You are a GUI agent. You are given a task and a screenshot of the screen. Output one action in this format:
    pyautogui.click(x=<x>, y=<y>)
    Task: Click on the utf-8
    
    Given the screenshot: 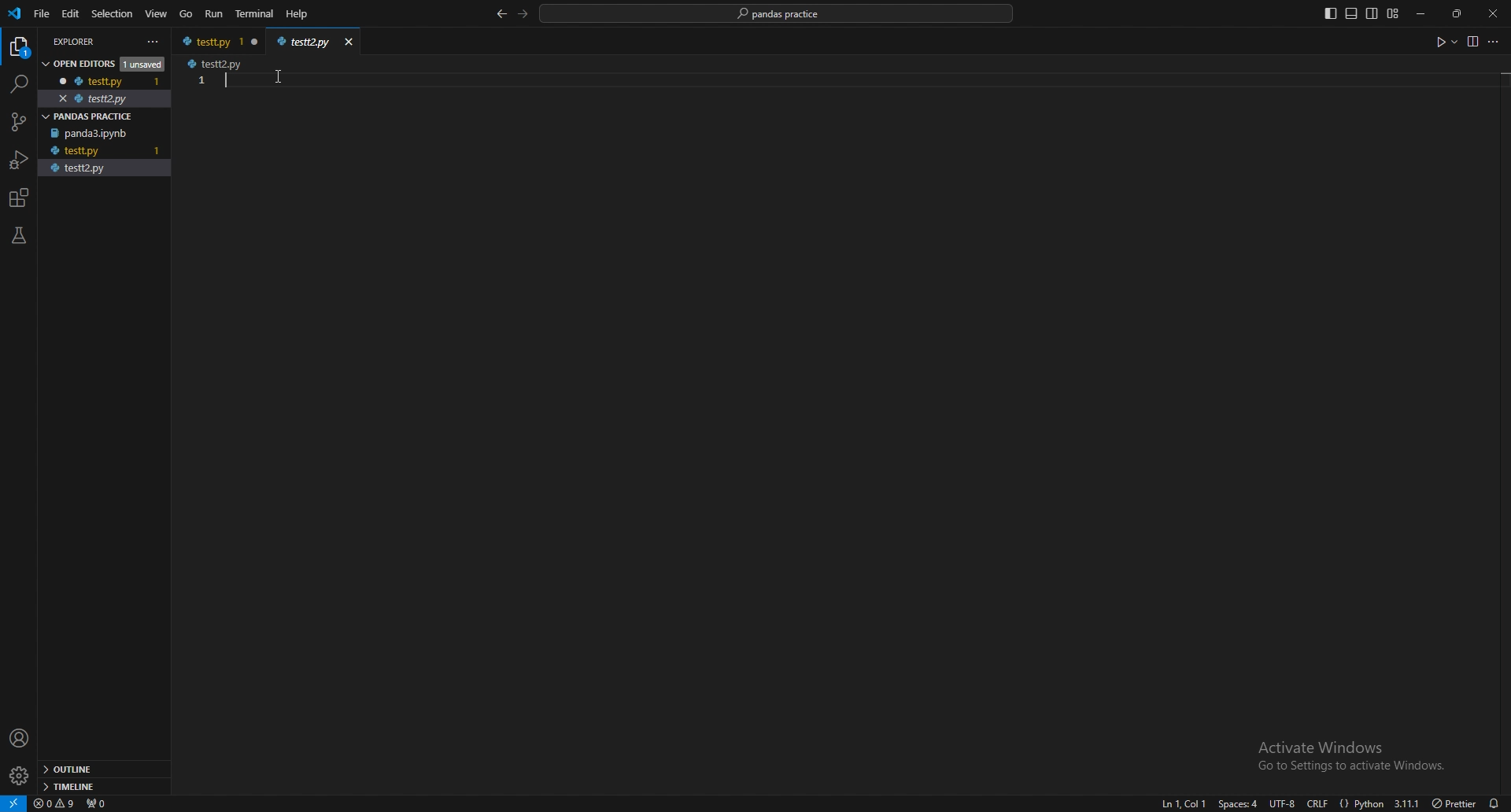 What is the action you would take?
    pyautogui.click(x=1280, y=803)
    